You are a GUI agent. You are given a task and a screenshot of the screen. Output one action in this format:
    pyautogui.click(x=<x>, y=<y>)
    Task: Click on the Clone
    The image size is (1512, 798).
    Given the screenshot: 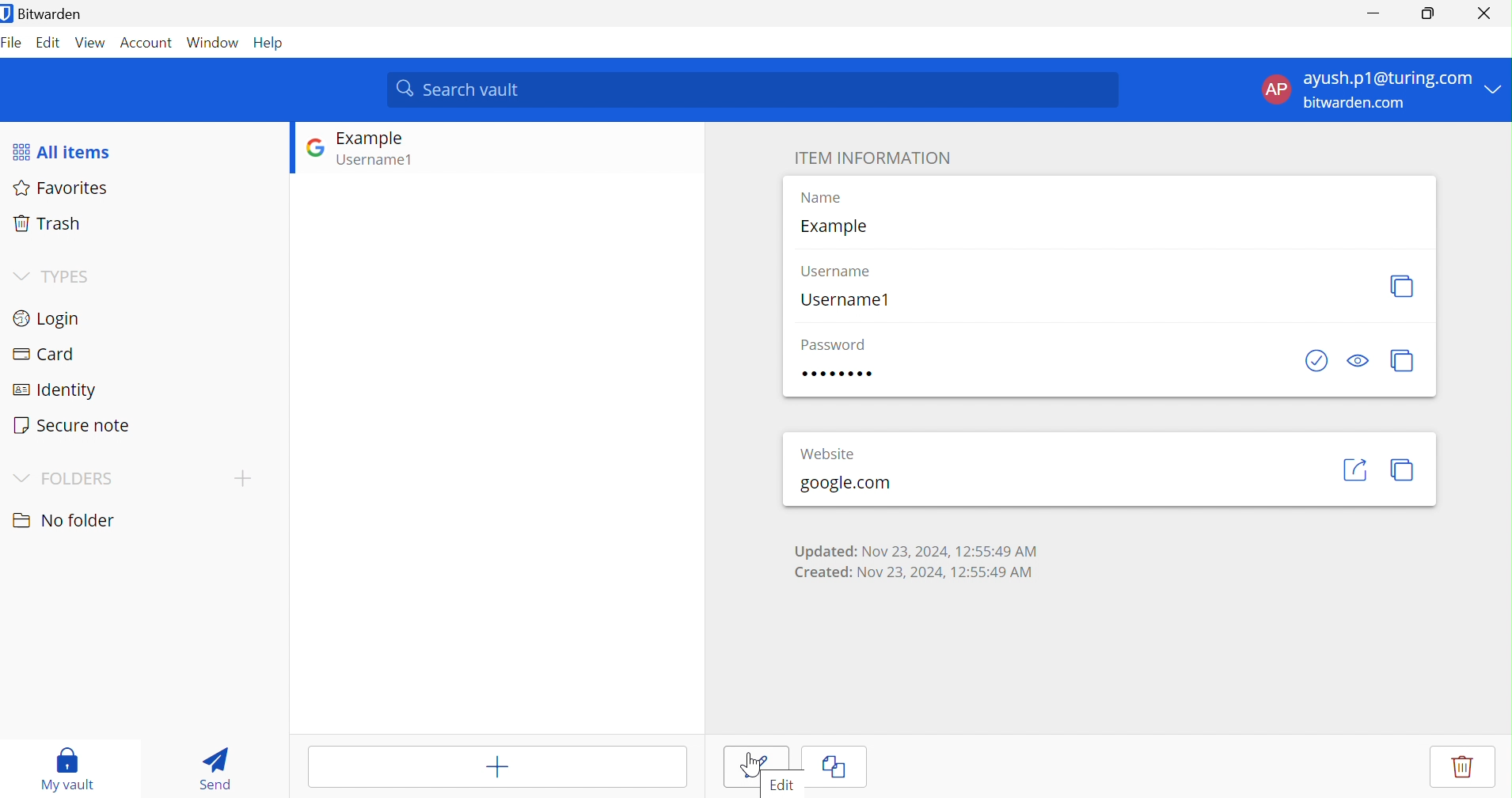 What is the action you would take?
    pyautogui.click(x=835, y=766)
    